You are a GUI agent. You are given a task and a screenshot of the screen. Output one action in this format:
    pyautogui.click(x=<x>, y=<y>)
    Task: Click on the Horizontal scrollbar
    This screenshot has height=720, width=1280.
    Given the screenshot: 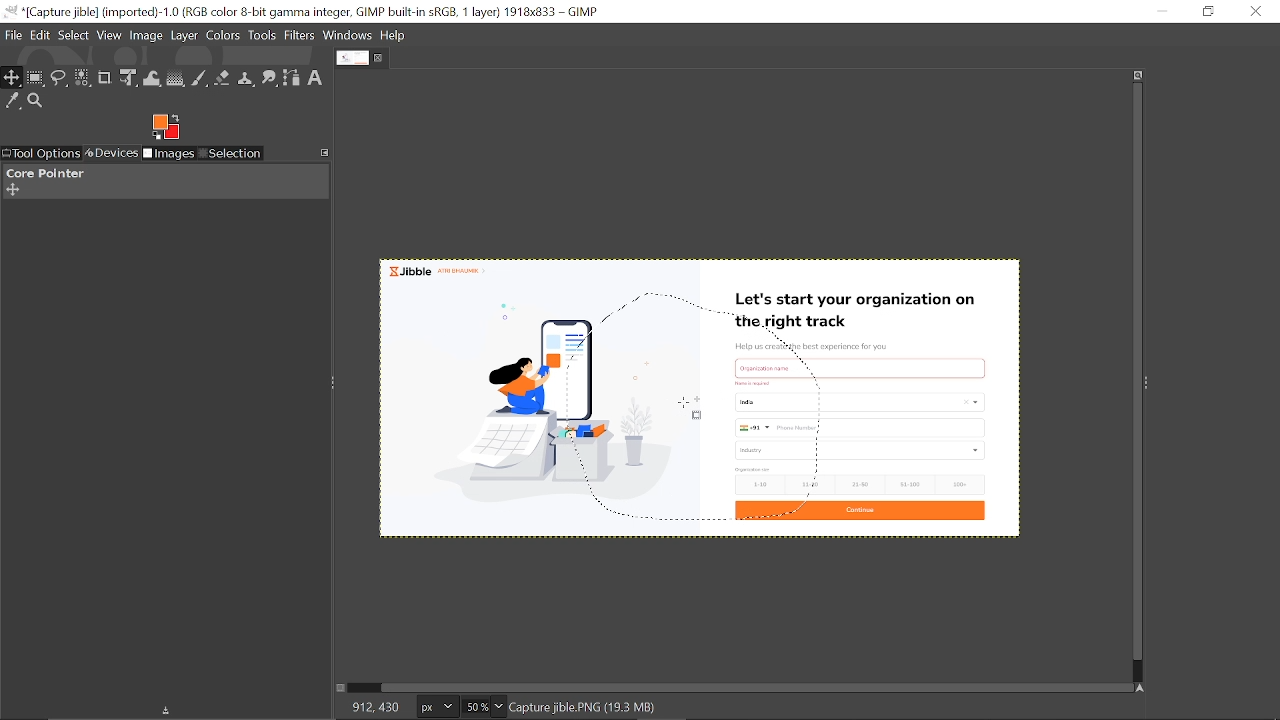 What is the action you would take?
    pyautogui.click(x=758, y=687)
    